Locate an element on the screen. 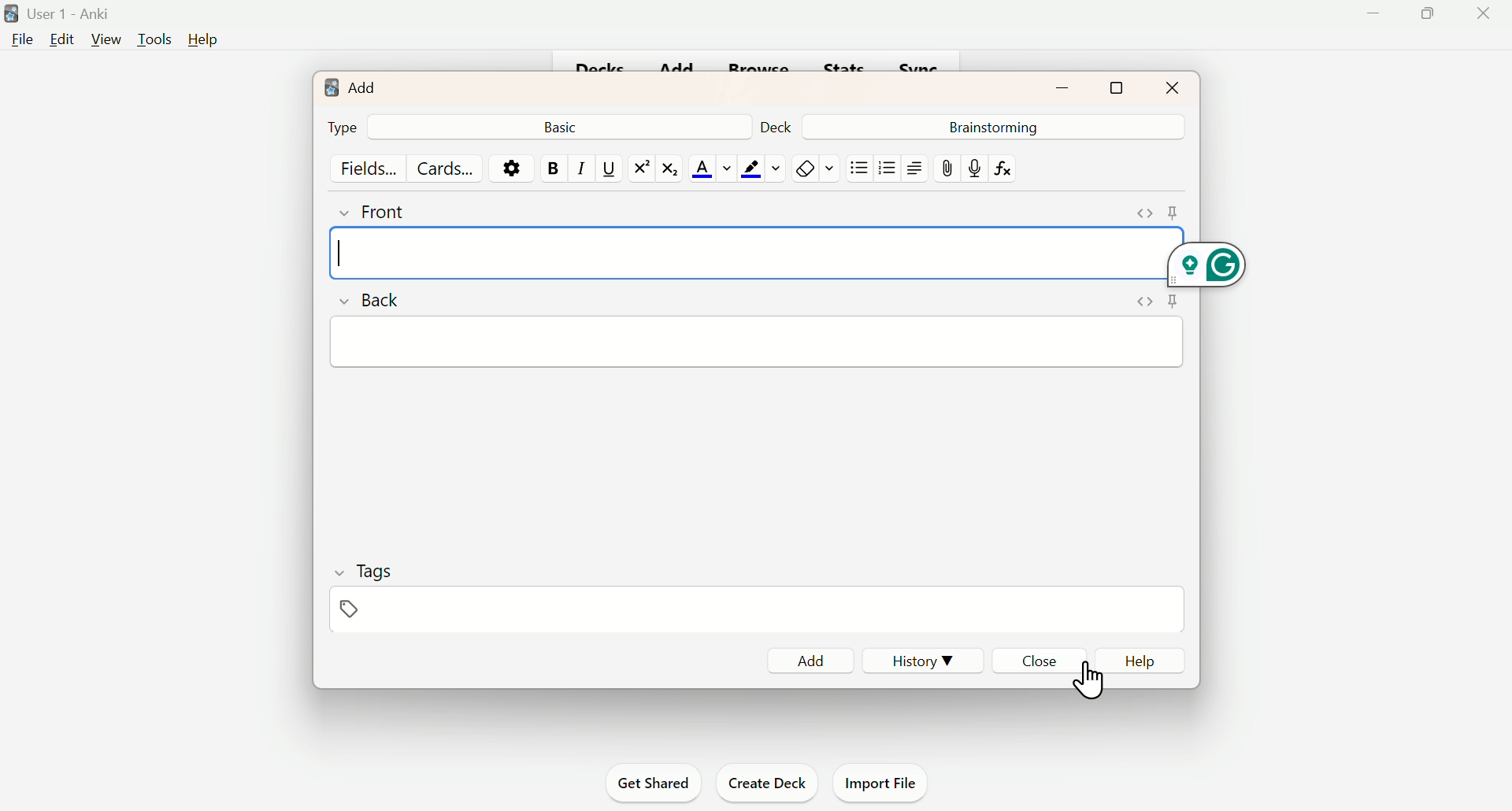 This screenshot has width=1512, height=811. Color is located at coordinates (761, 168).